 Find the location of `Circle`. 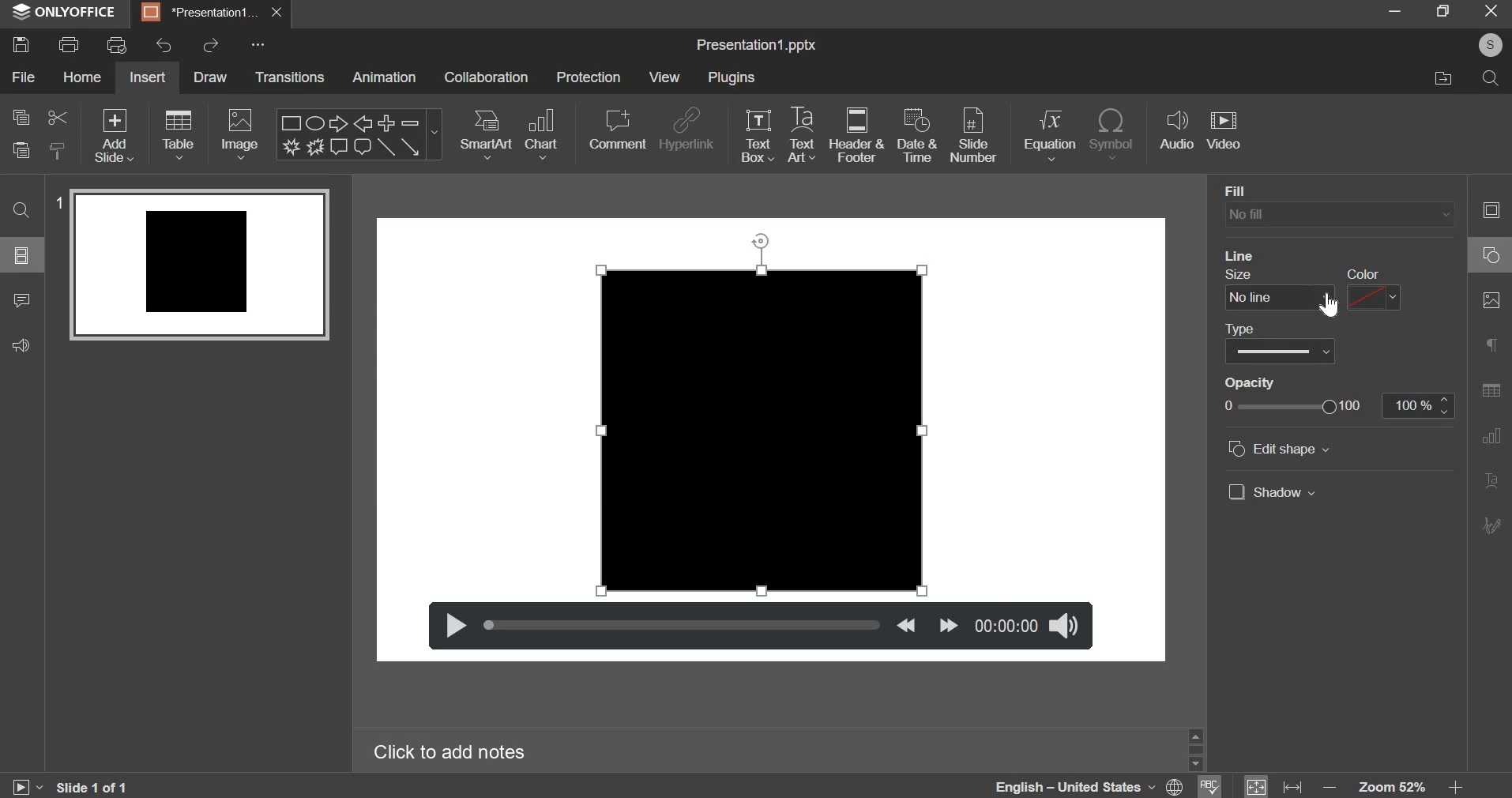

Circle is located at coordinates (1488, 257).